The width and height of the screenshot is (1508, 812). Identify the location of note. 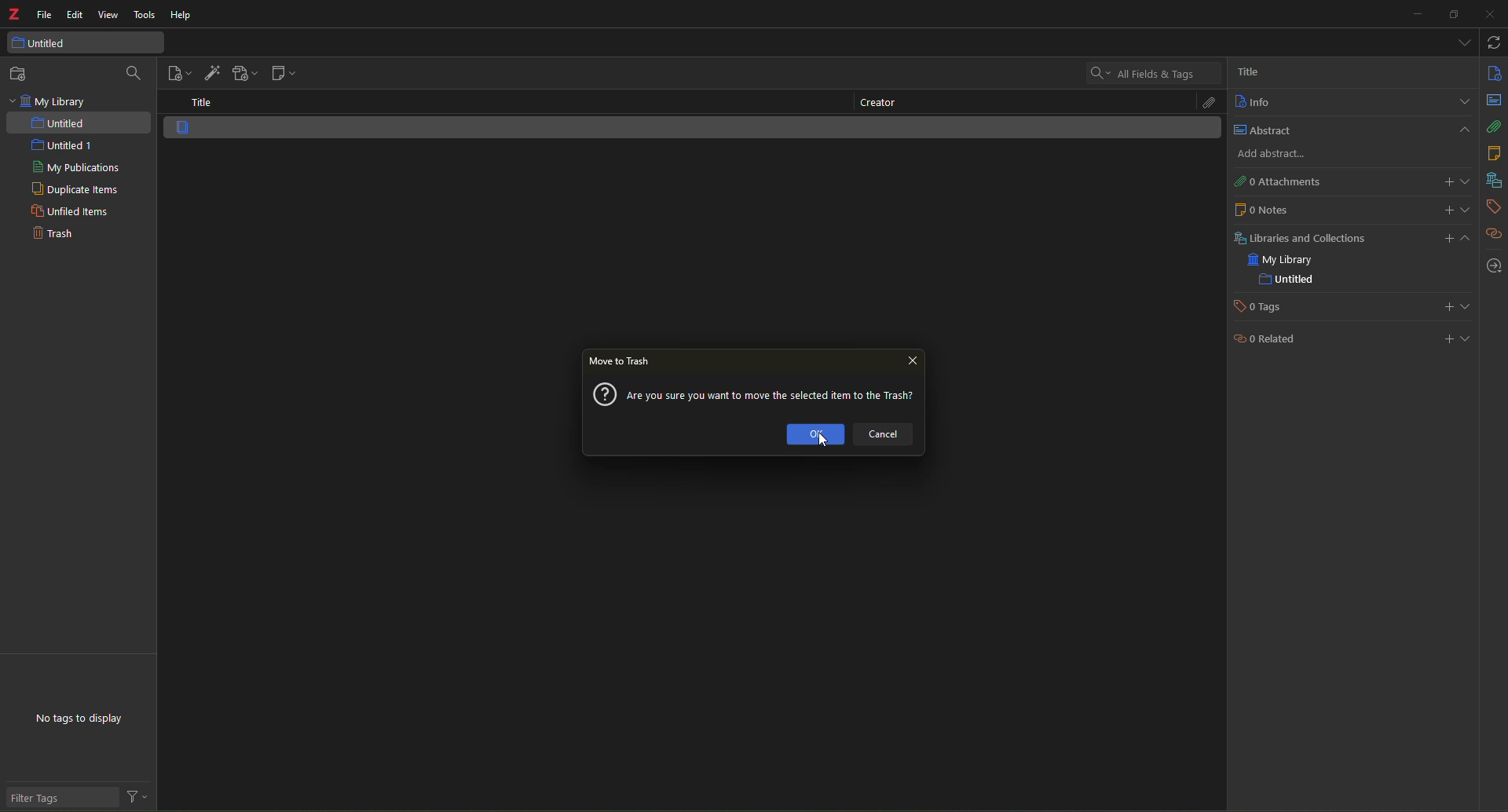
(1261, 209).